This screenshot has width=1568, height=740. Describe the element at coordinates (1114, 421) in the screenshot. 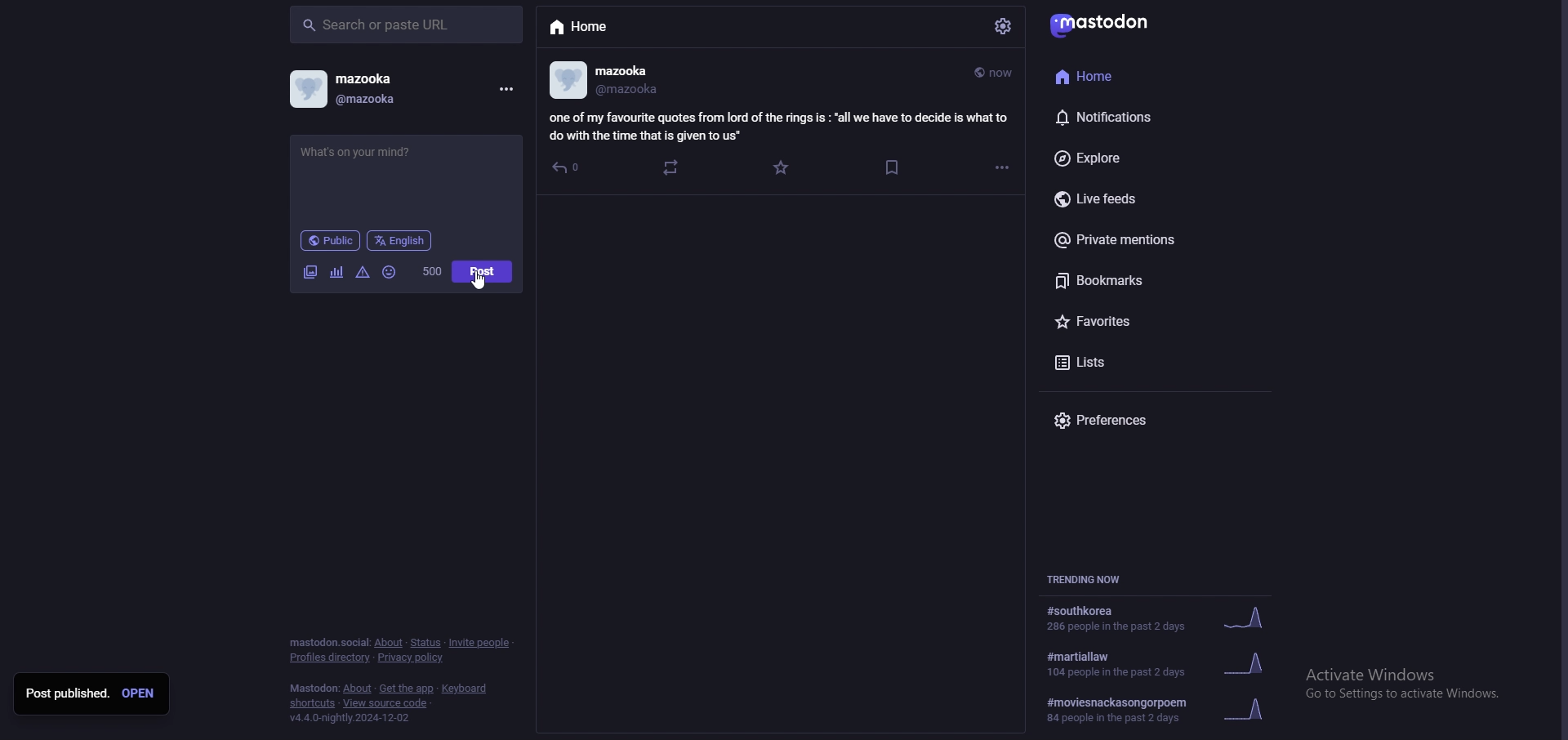

I see `preference` at that location.